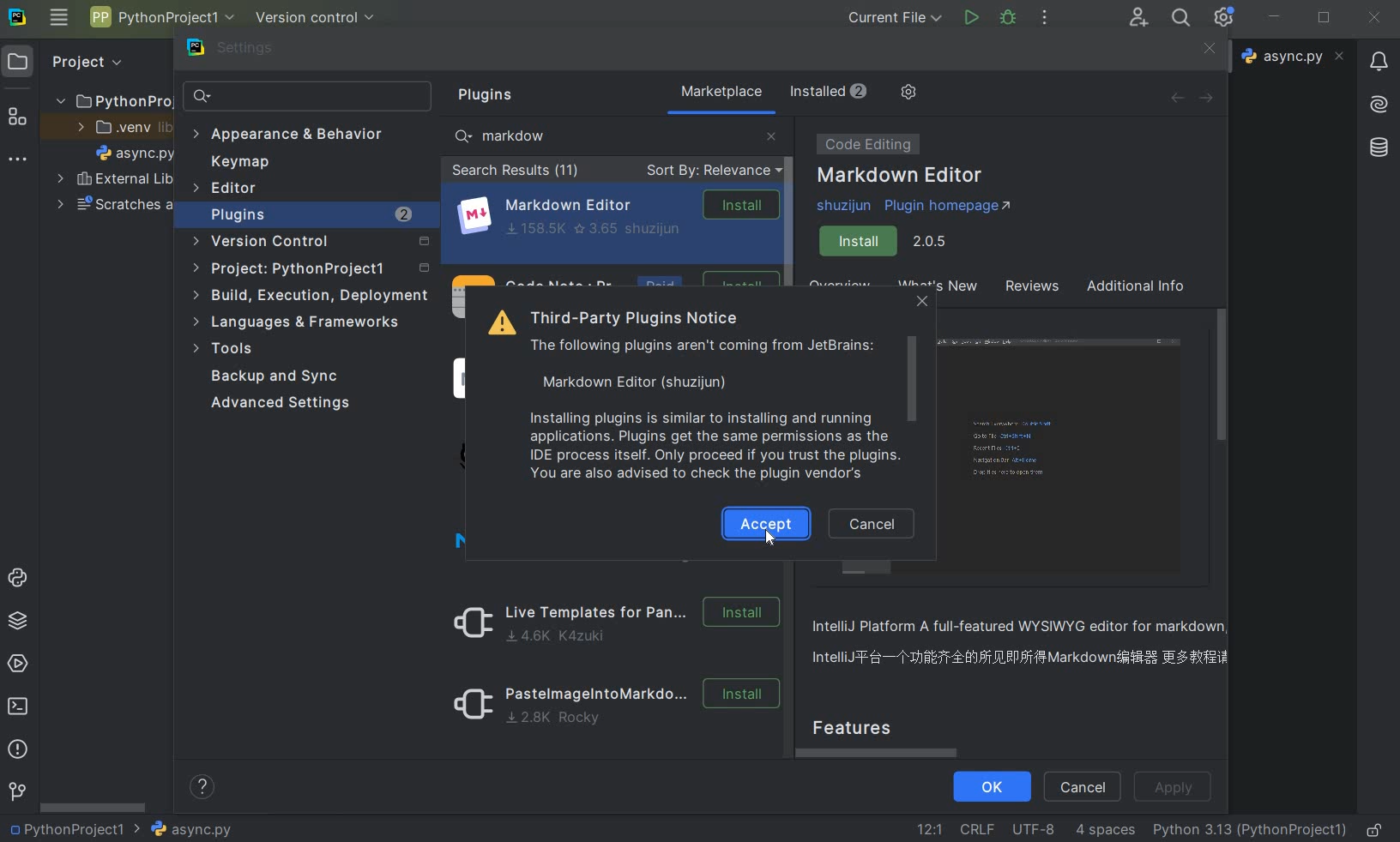 The width and height of the screenshot is (1400, 842). What do you see at coordinates (884, 753) in the screenshot?
I see `scrollbar` at bounding box center [884, 753].